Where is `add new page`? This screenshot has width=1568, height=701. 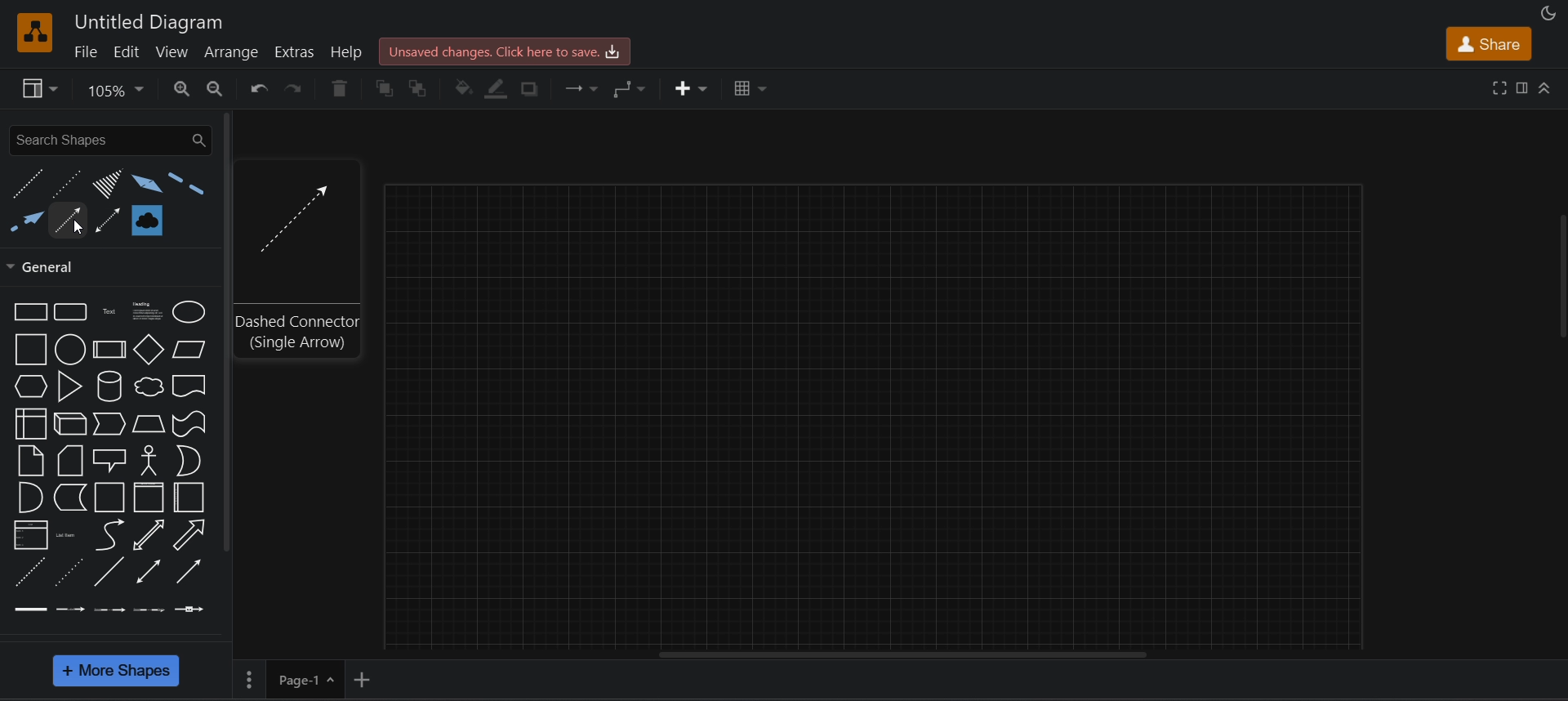
add new page is located at coordinates (366, 678).